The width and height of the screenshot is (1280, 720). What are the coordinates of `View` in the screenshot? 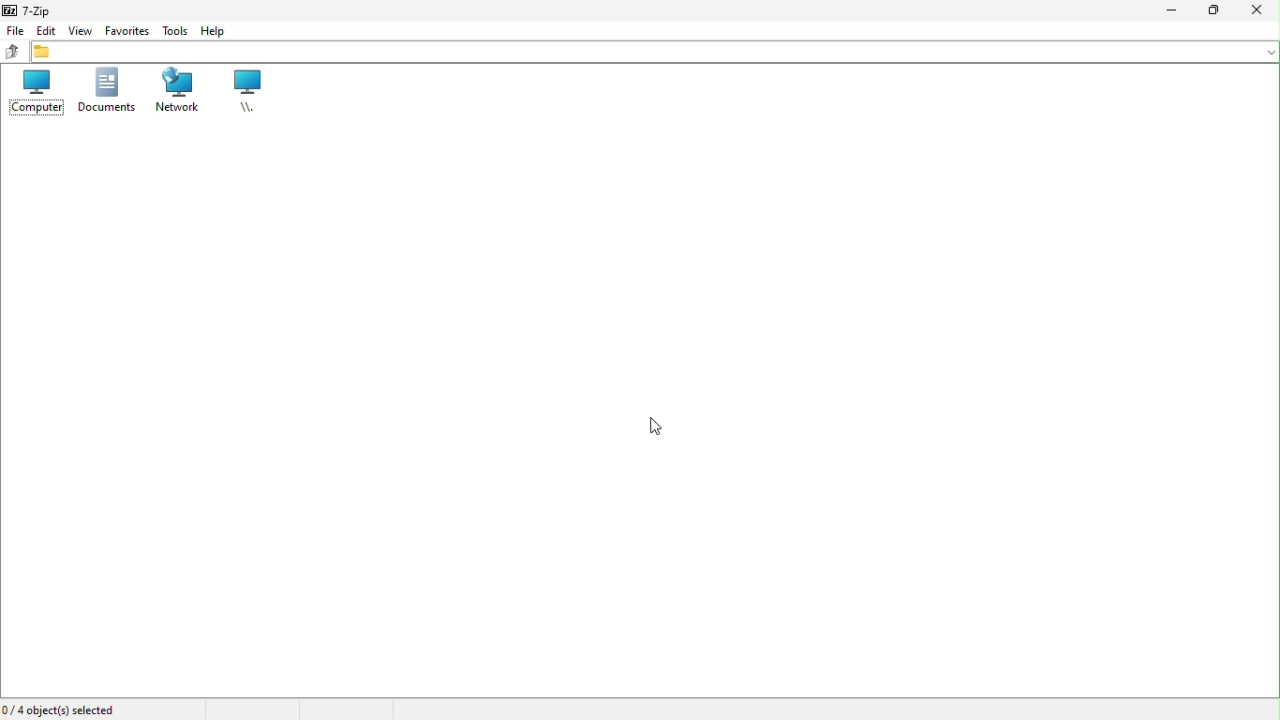 It's located at (127, 30).